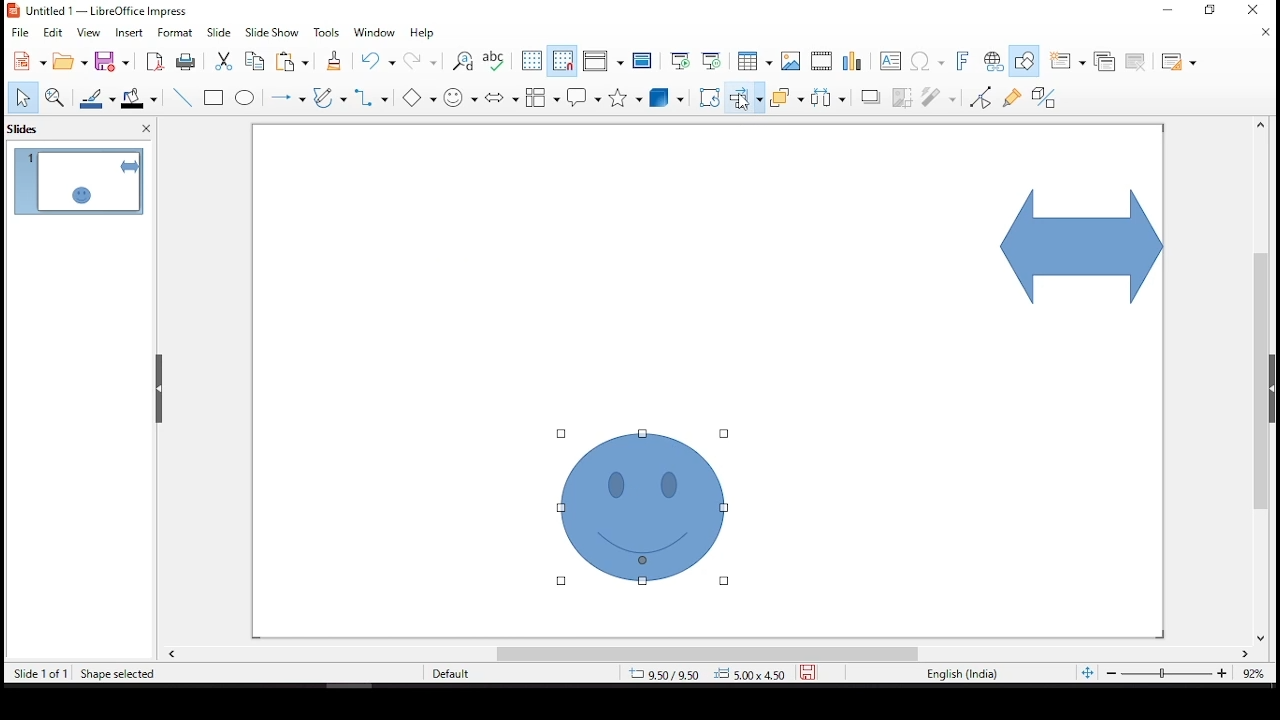  I want to click on distribute, so click(827, 99).